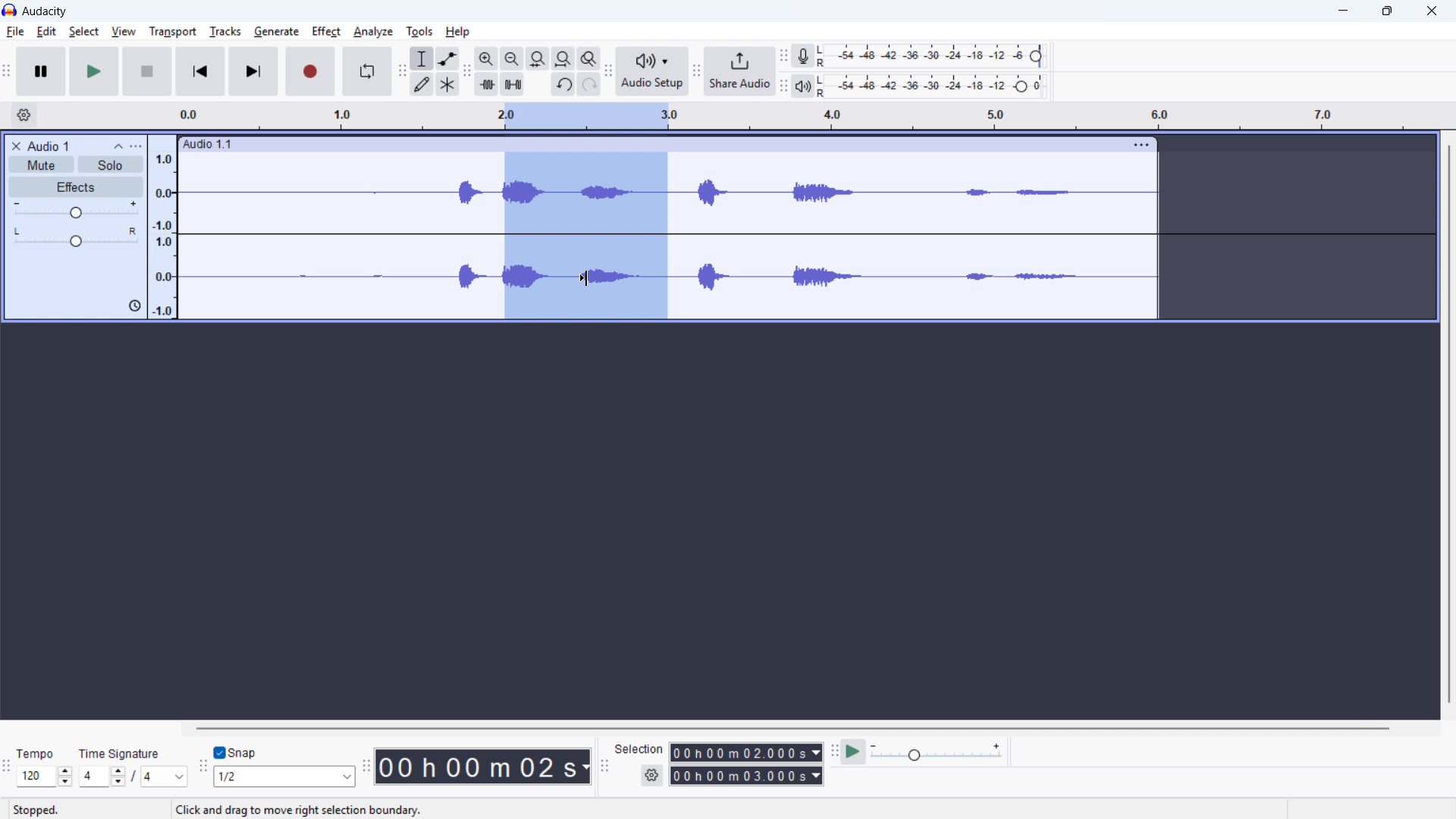 This screenshot has height=819, width=1456. What do you see at coordinates (120, 752) in the screenshot?
I see `Time signature` at bounding box center [120, 752].